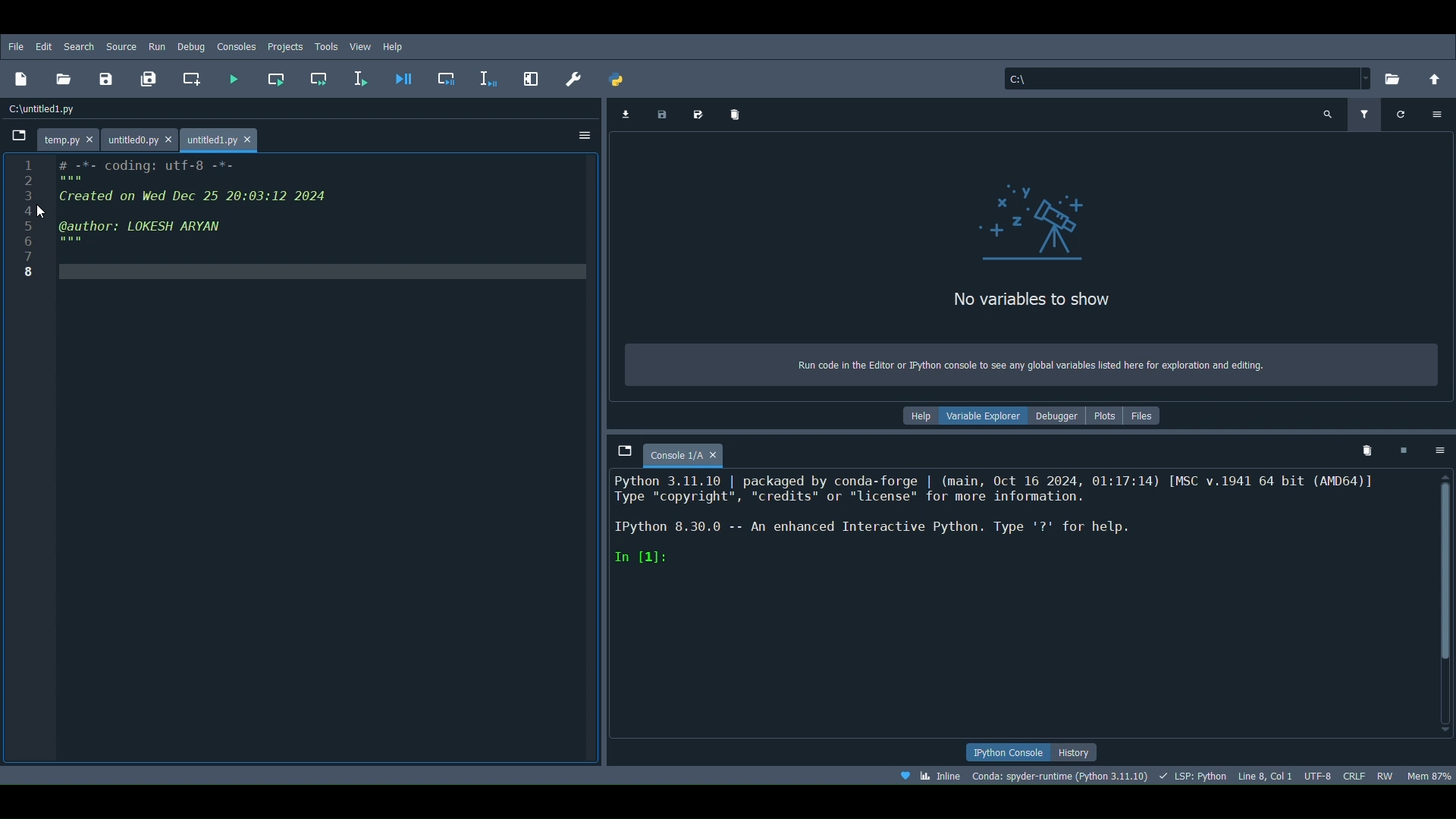  What do you see at coordinates (13, 45) in the screenshot?
I see `File` at bounding box center [13, 45].